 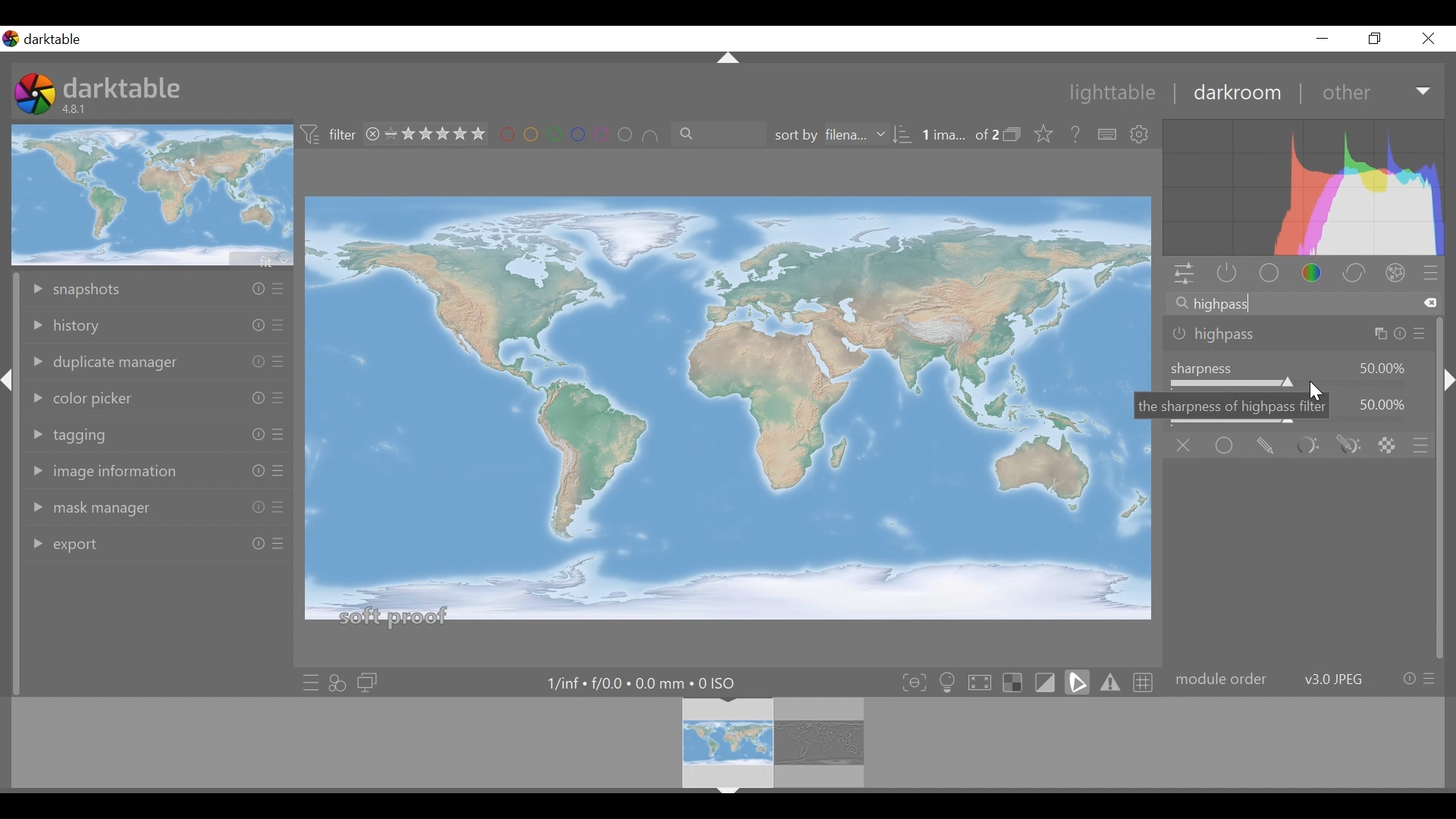 I want to click on preset, so click(x=1421, y=444).